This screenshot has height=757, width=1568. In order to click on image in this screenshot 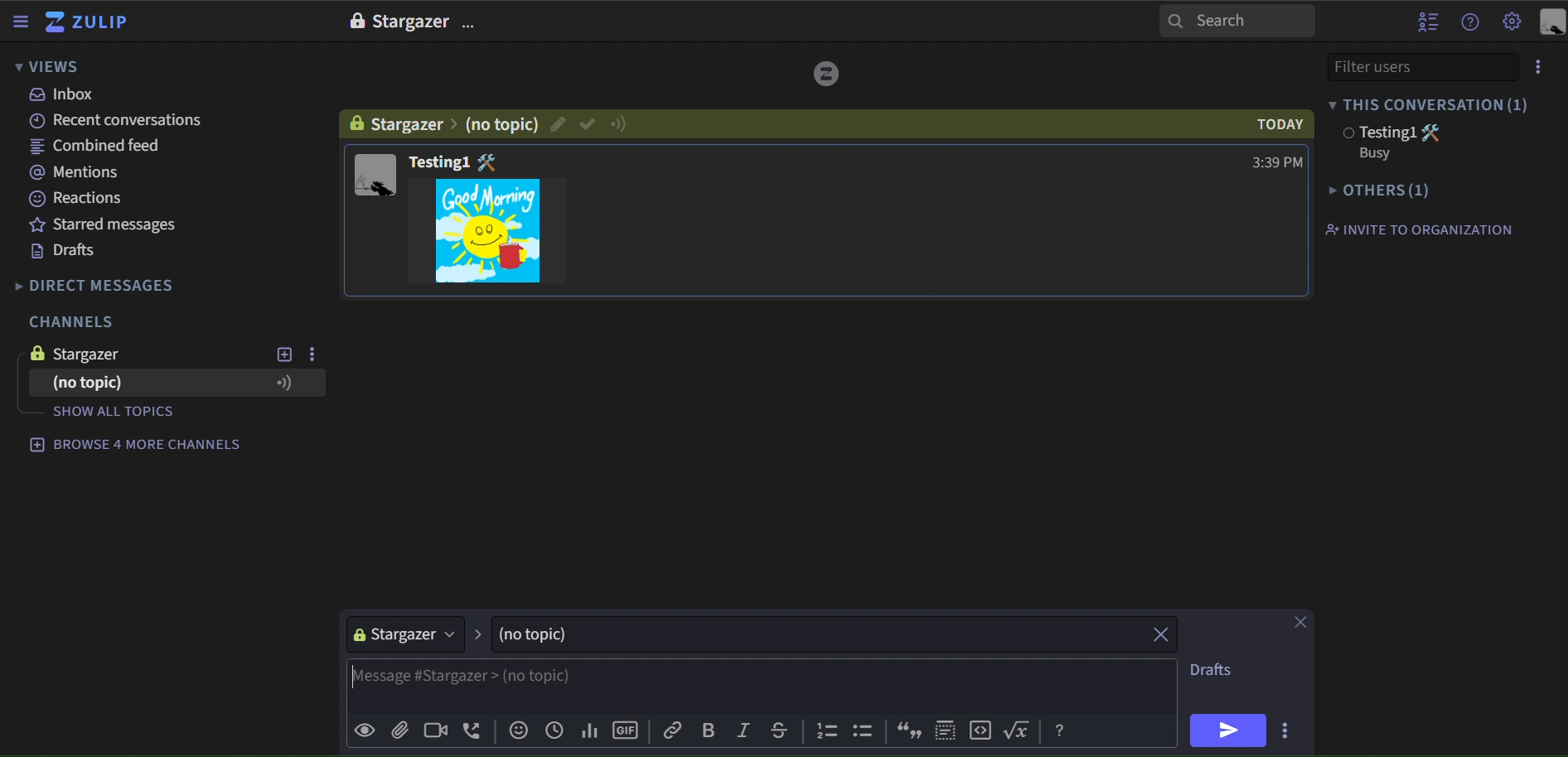, I will do `click(825, 75)`.